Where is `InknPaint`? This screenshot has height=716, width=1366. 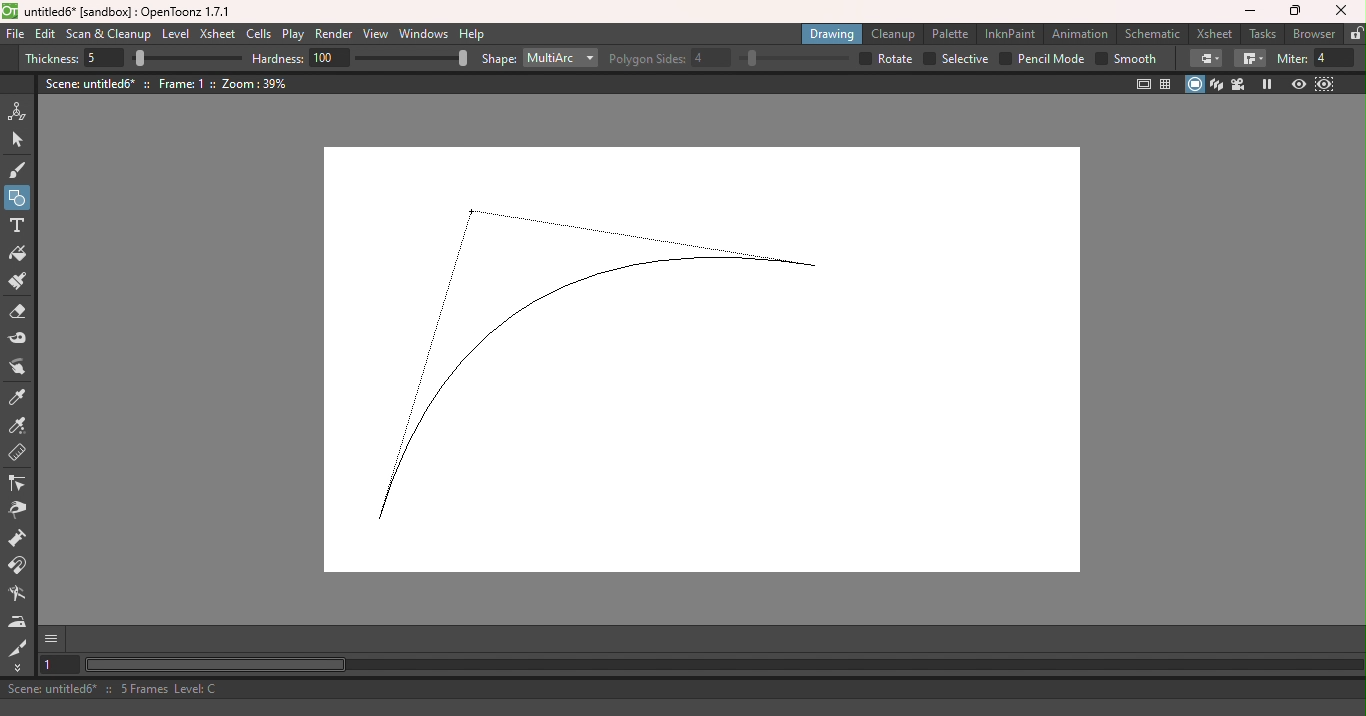
InknPaint is located at coordinates (1010, 34).